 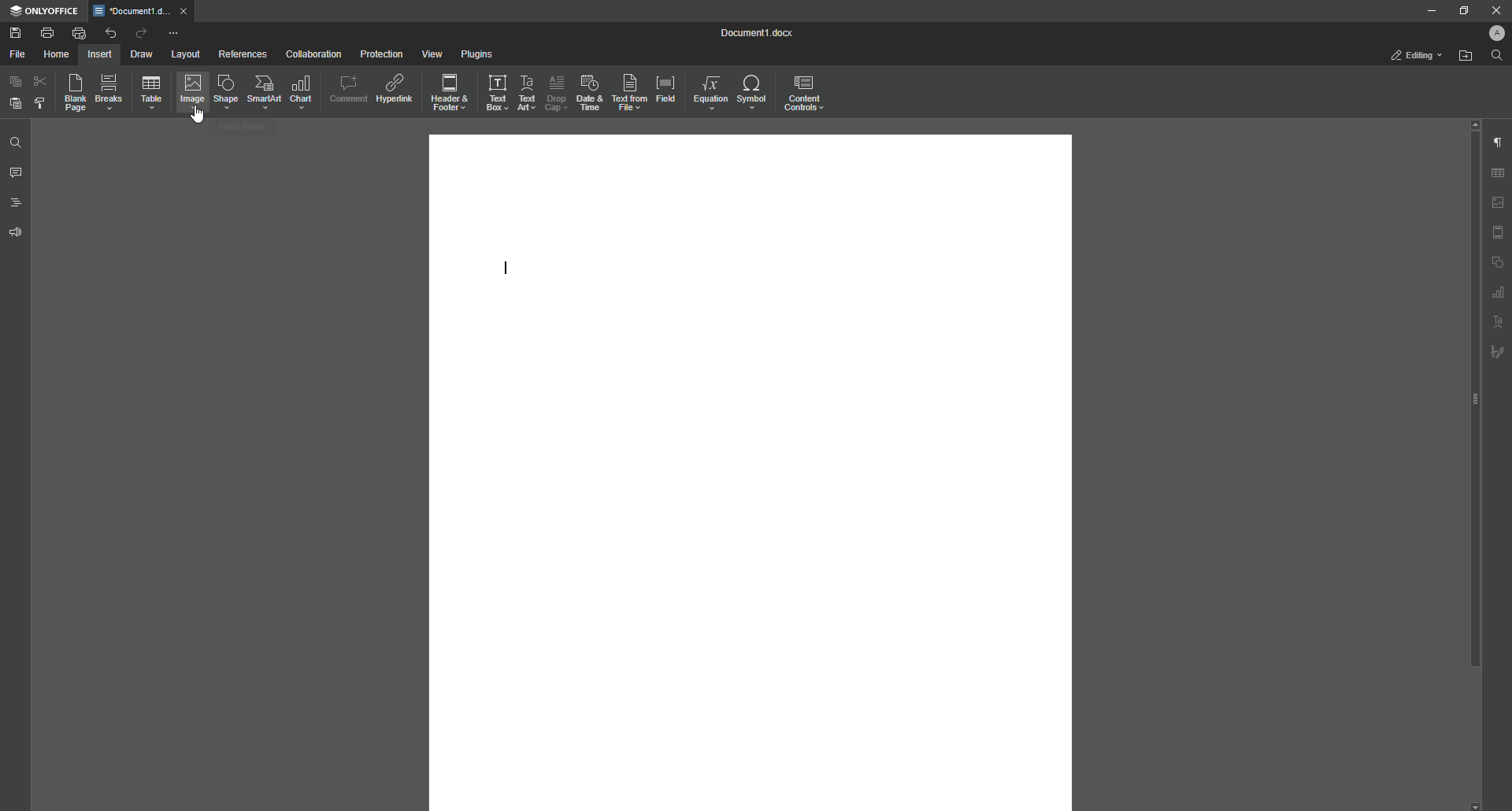 What do you see at coordinates (1464, 57) in the screenshot?
I see `Open From File` at bounding box center [1464, 57].